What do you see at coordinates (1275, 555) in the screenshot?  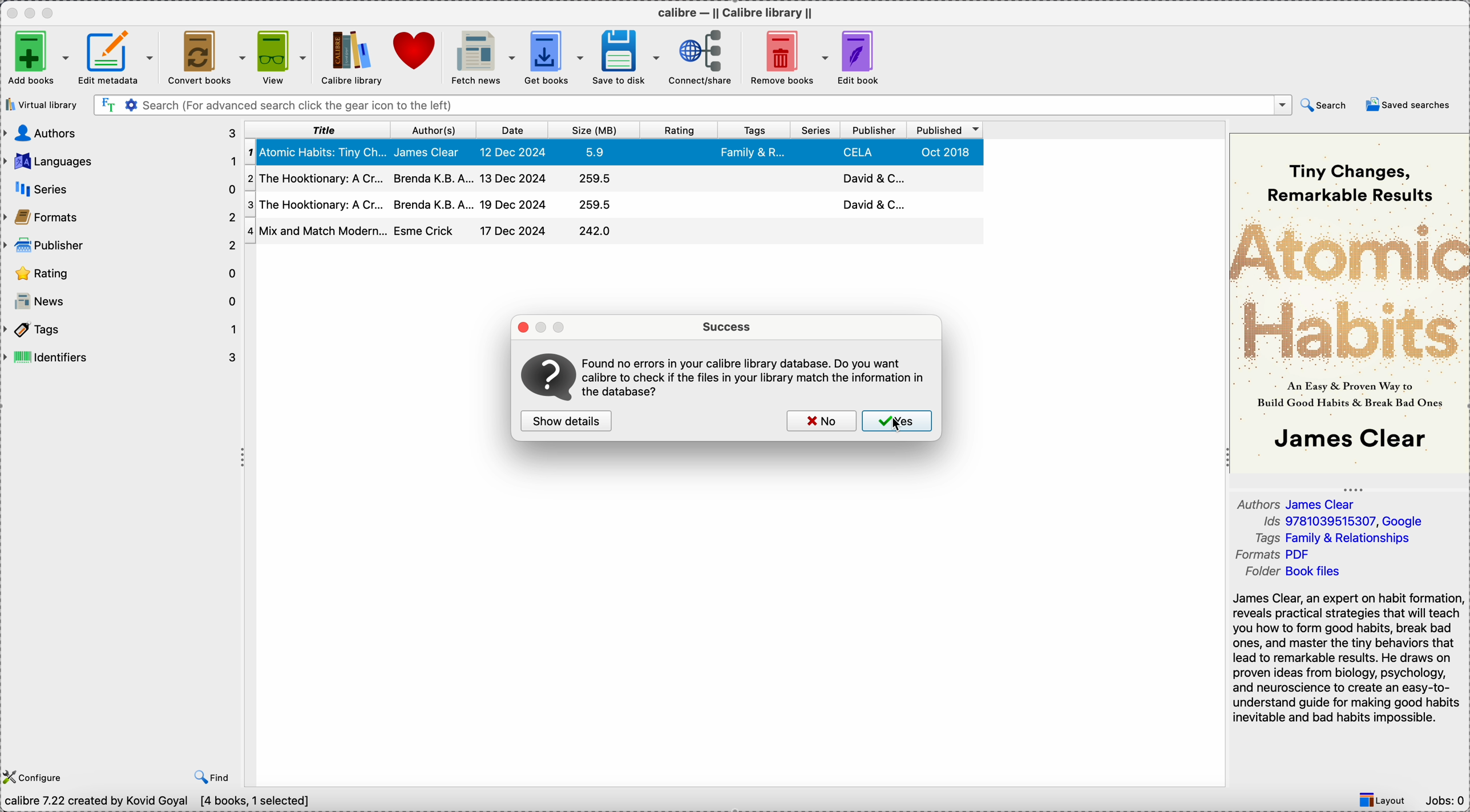 I see `format` at bounding box center [1275, 555].